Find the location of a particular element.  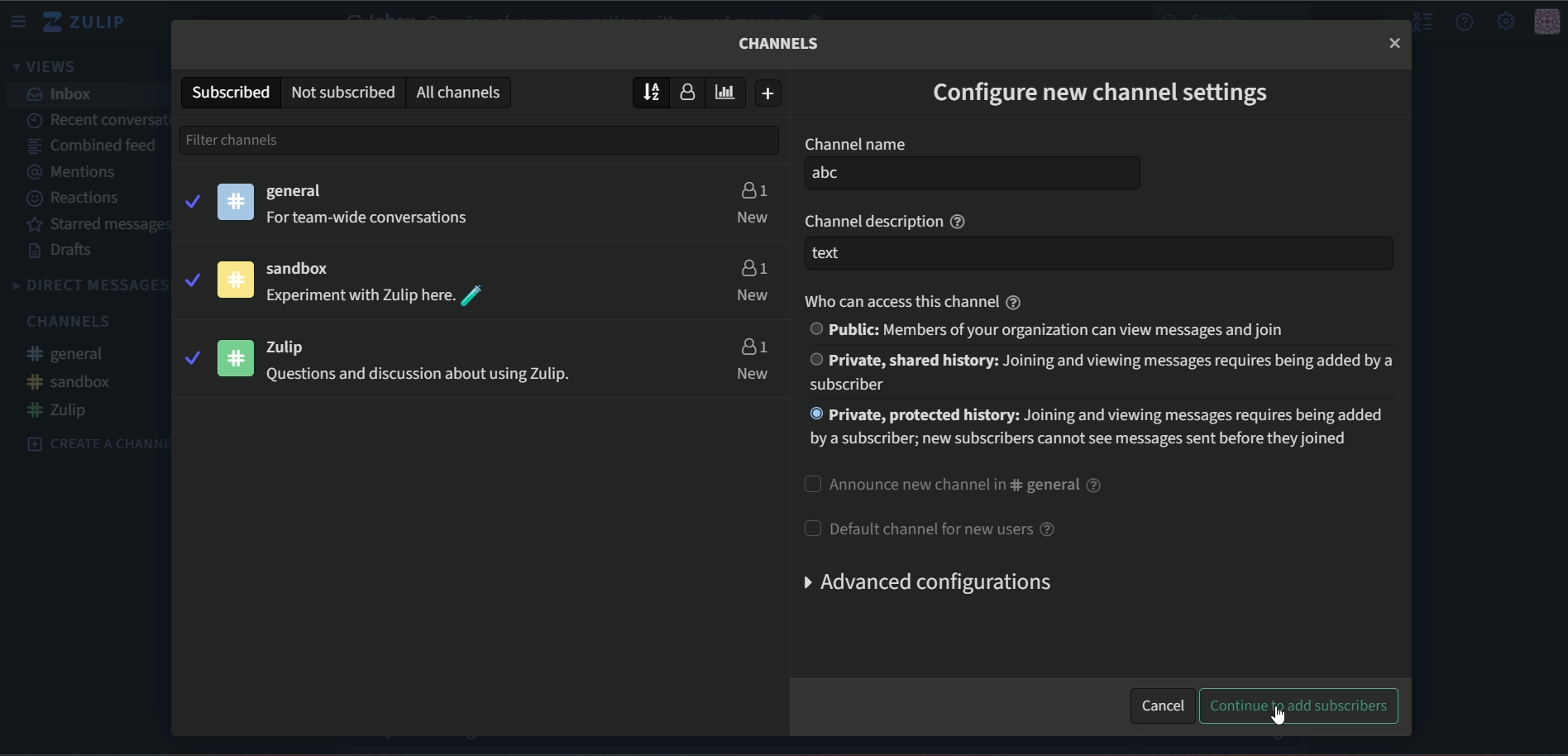

configure new channel settings is located at coordinates (1102, 96).